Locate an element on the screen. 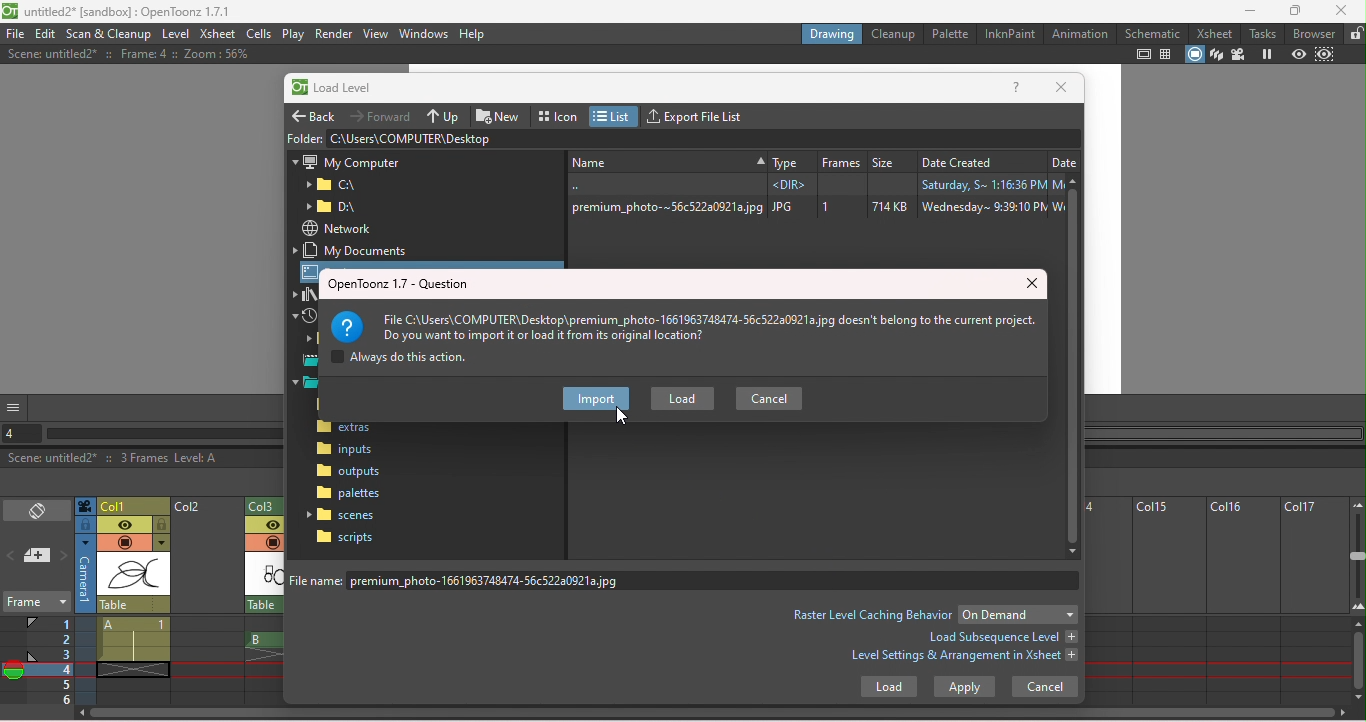  Text notification is located at coordinates (687, 322).